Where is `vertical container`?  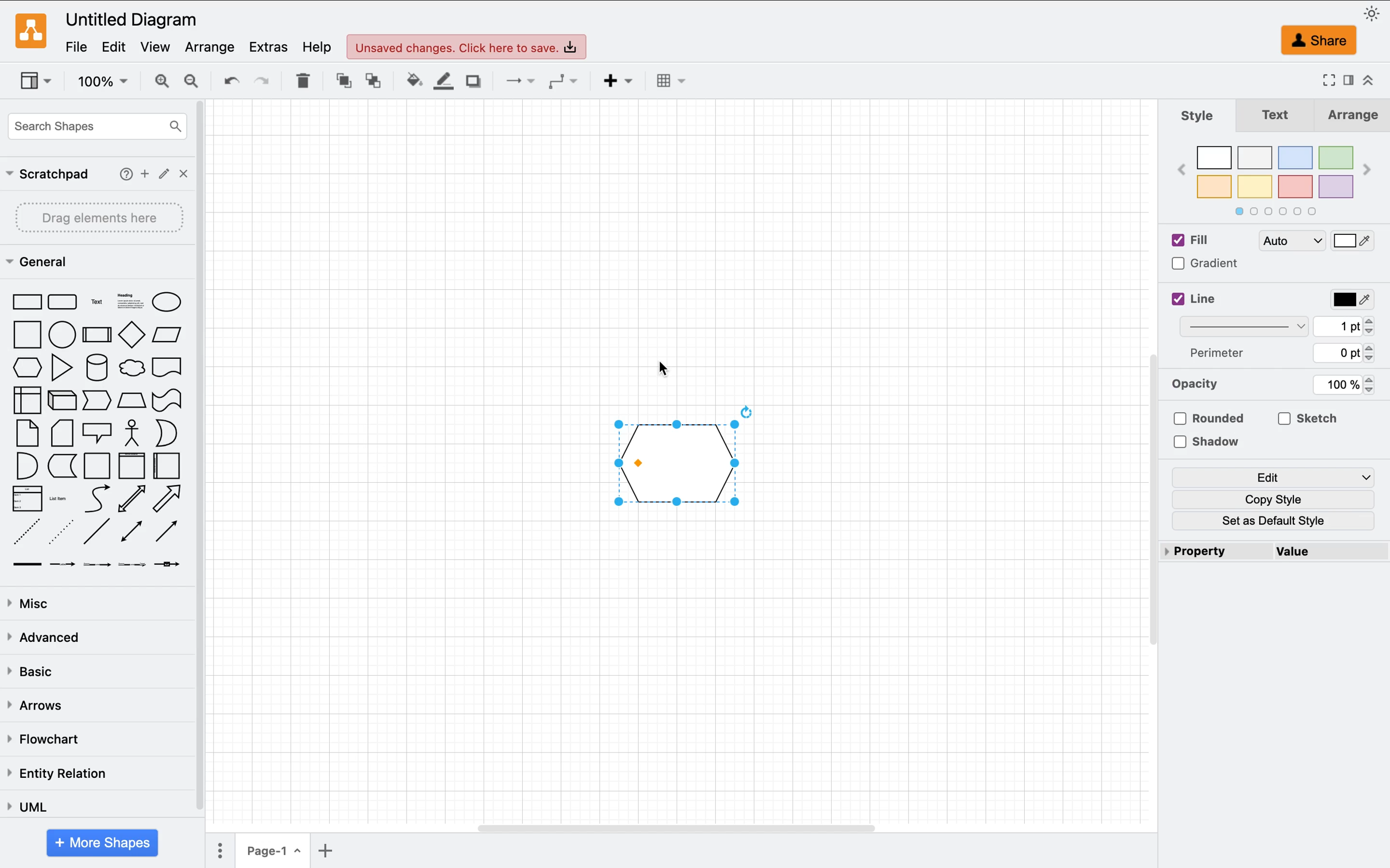
vertical container is located at coordinates (131, 464).